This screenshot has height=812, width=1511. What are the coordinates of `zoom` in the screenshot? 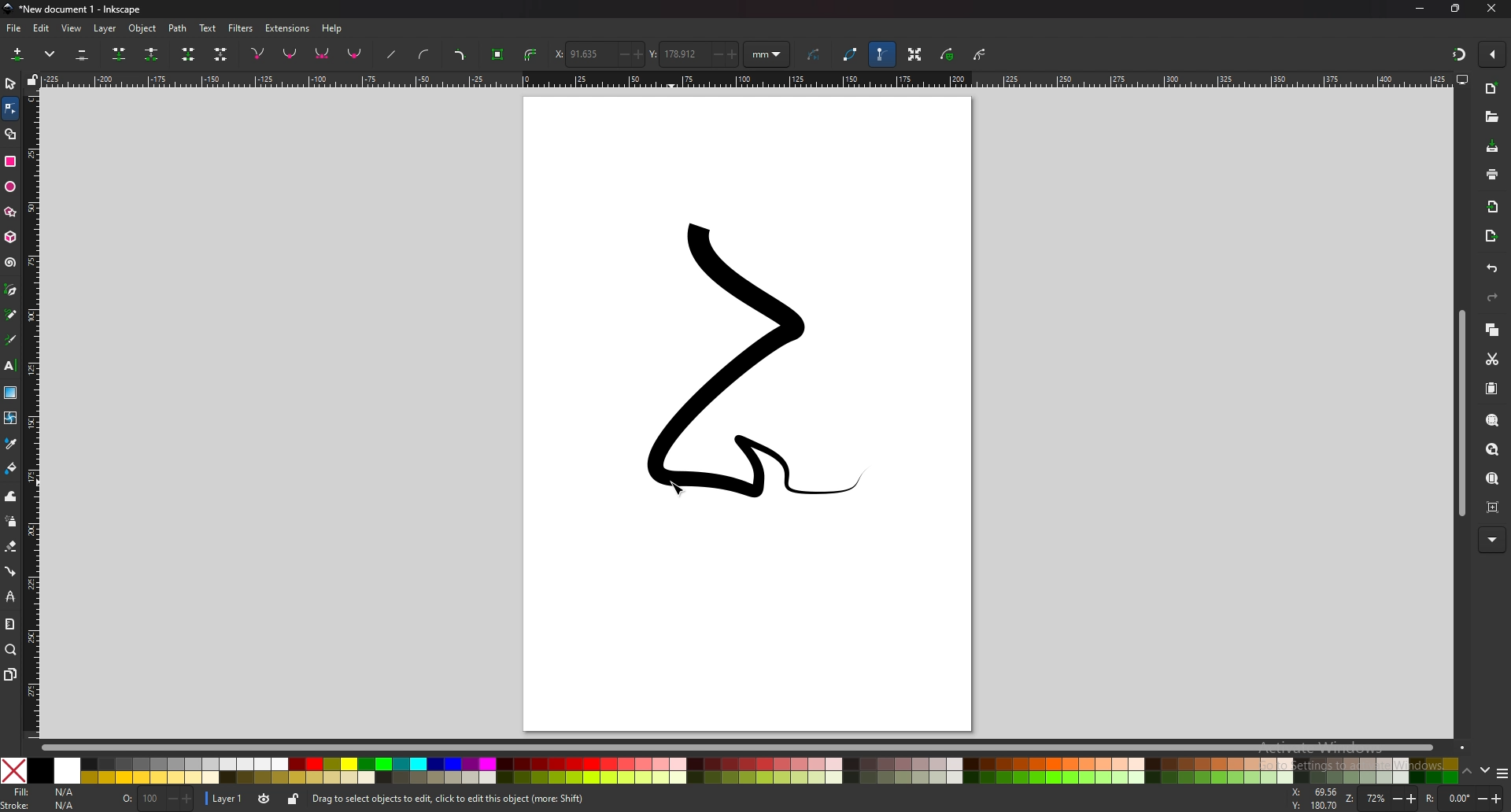 It's located at (12, 651).